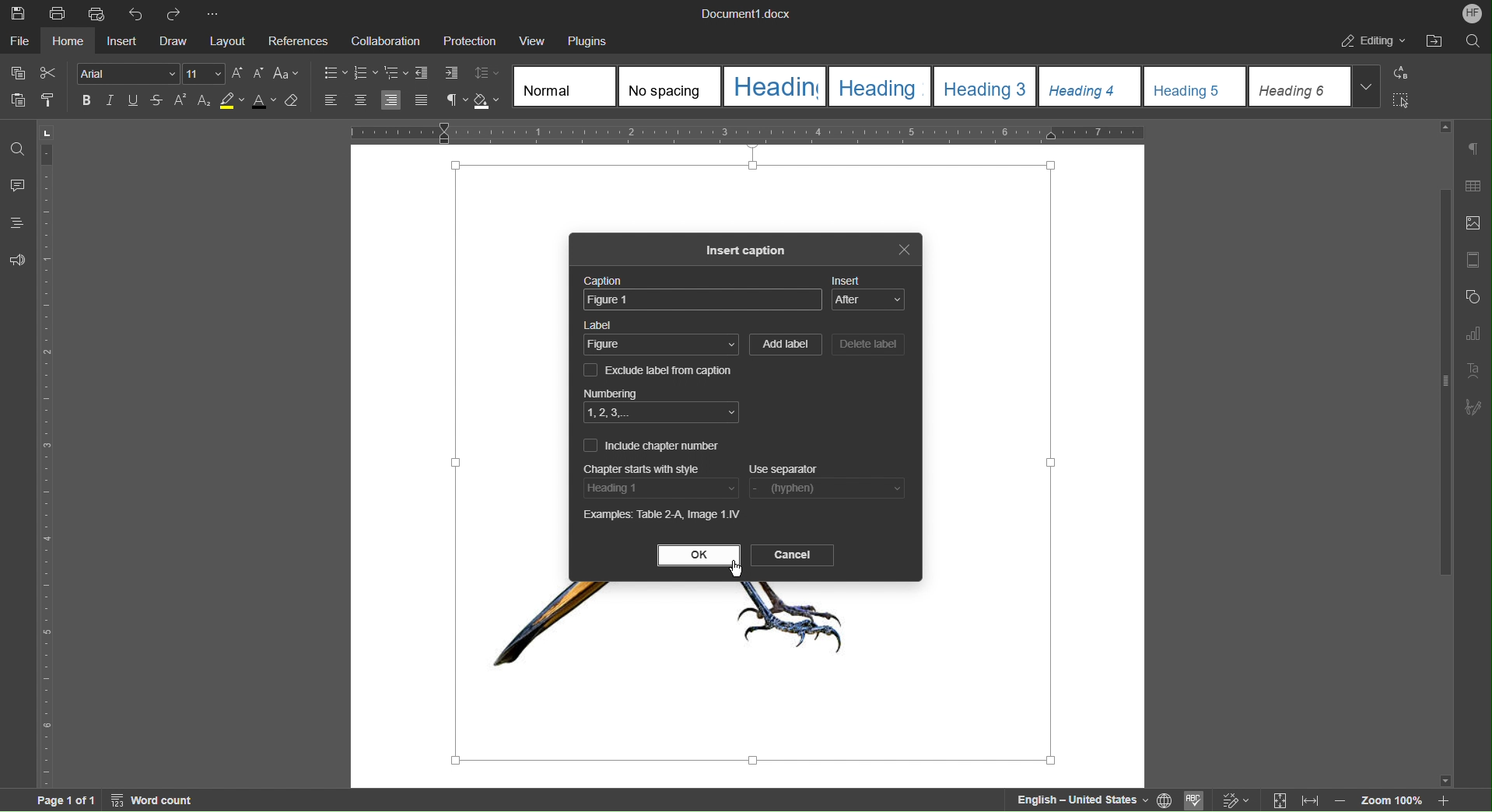 This screenshot has height=812, width=1492. What do you see at coordinates (203, 101) in the screenshot?
I see `Subscript` at bounding box center [203, 101].